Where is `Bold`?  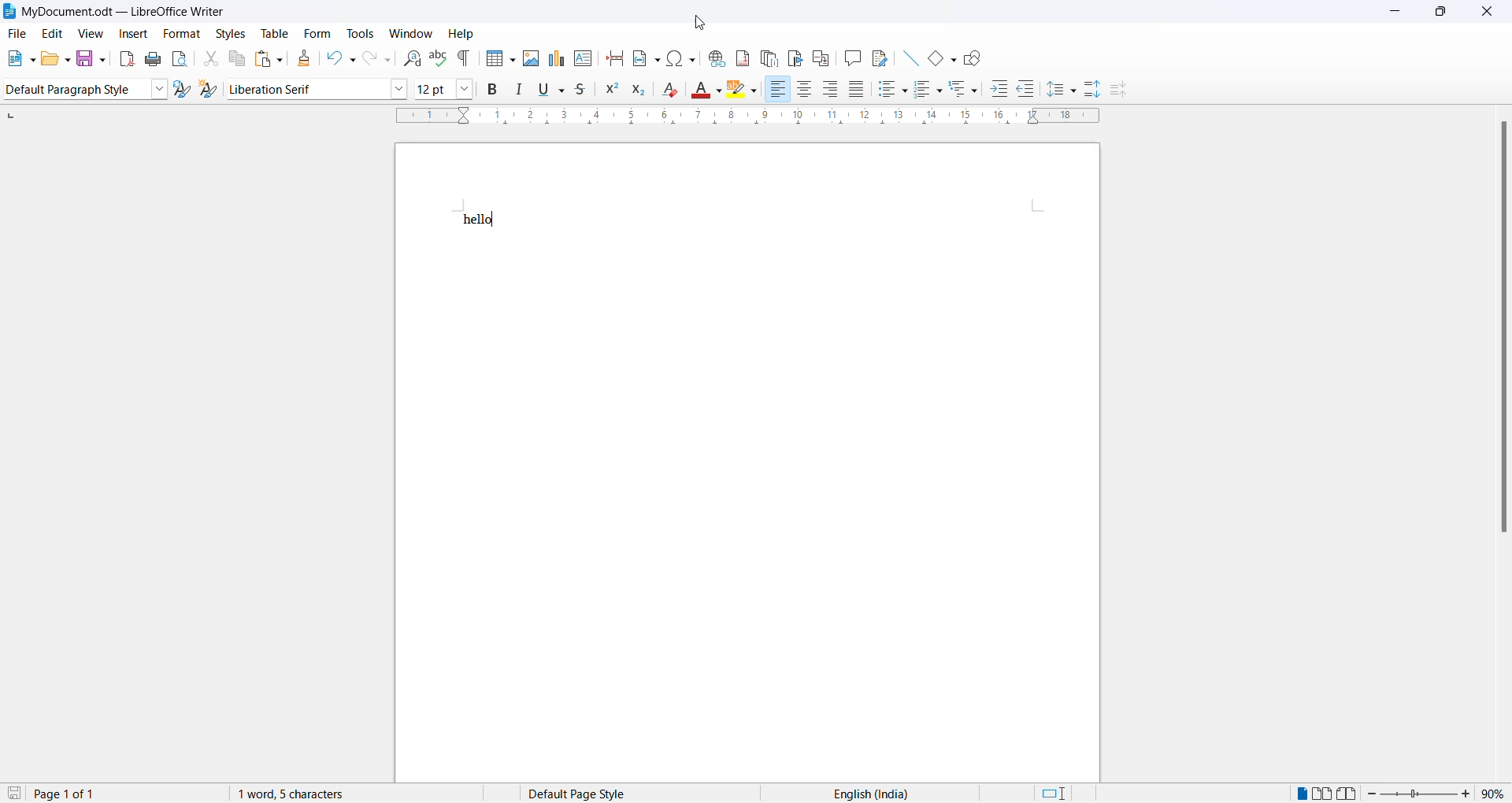 Bold is located at coordinates (492, 91).